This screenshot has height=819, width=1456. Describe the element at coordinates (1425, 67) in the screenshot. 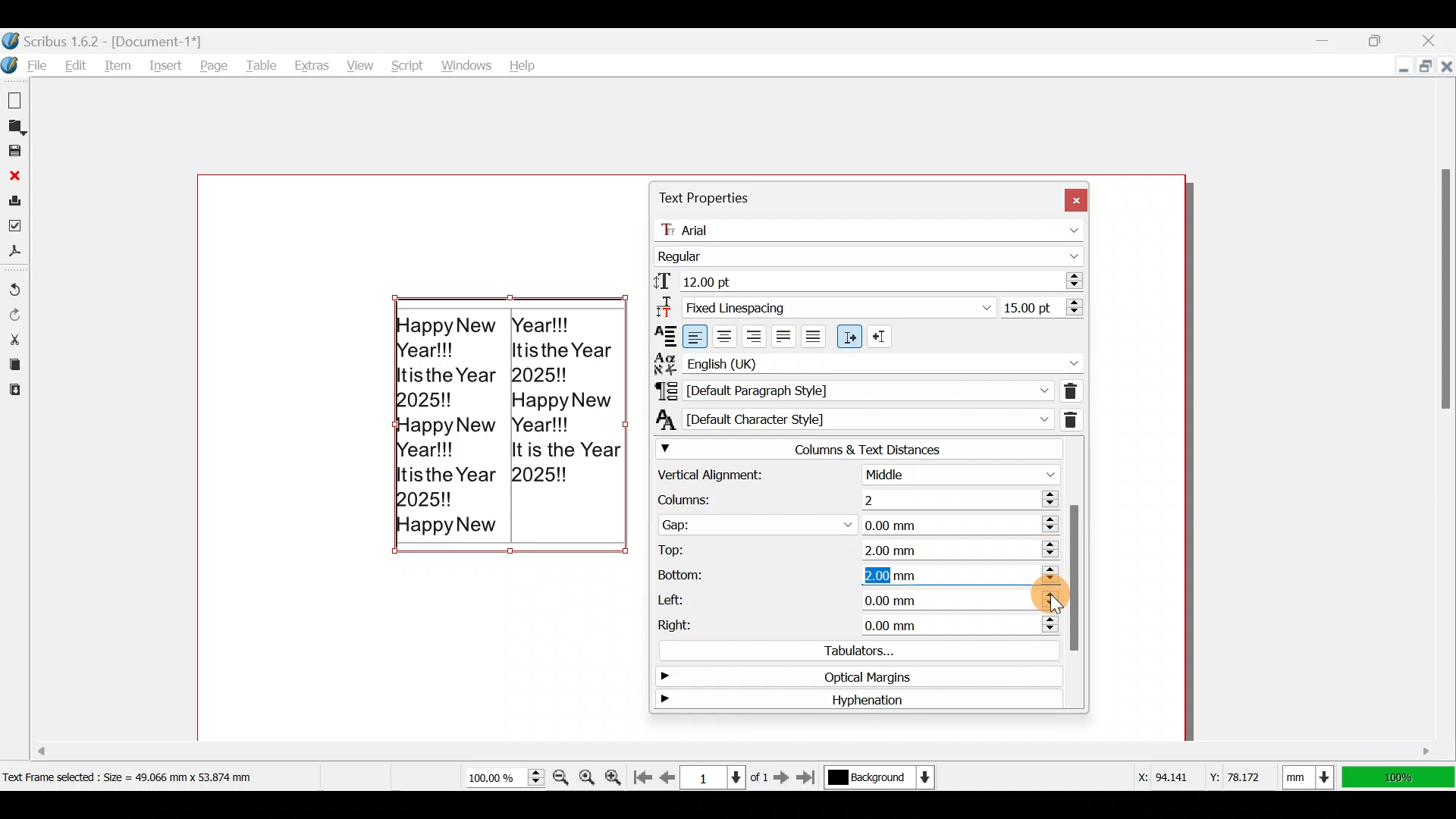

I see `Maximize` at that location.